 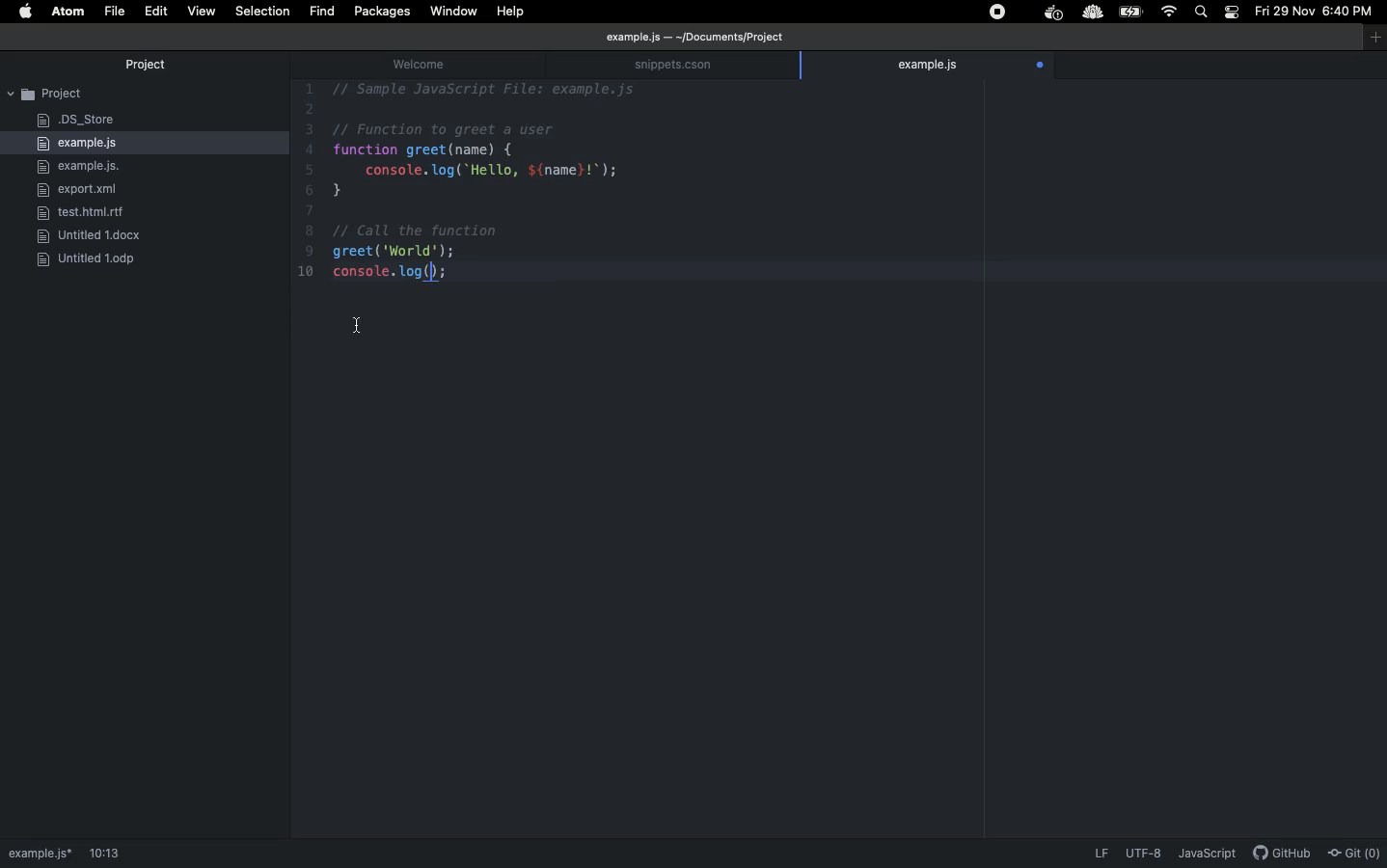 I want to click on description, so click(x=1149, y=855).